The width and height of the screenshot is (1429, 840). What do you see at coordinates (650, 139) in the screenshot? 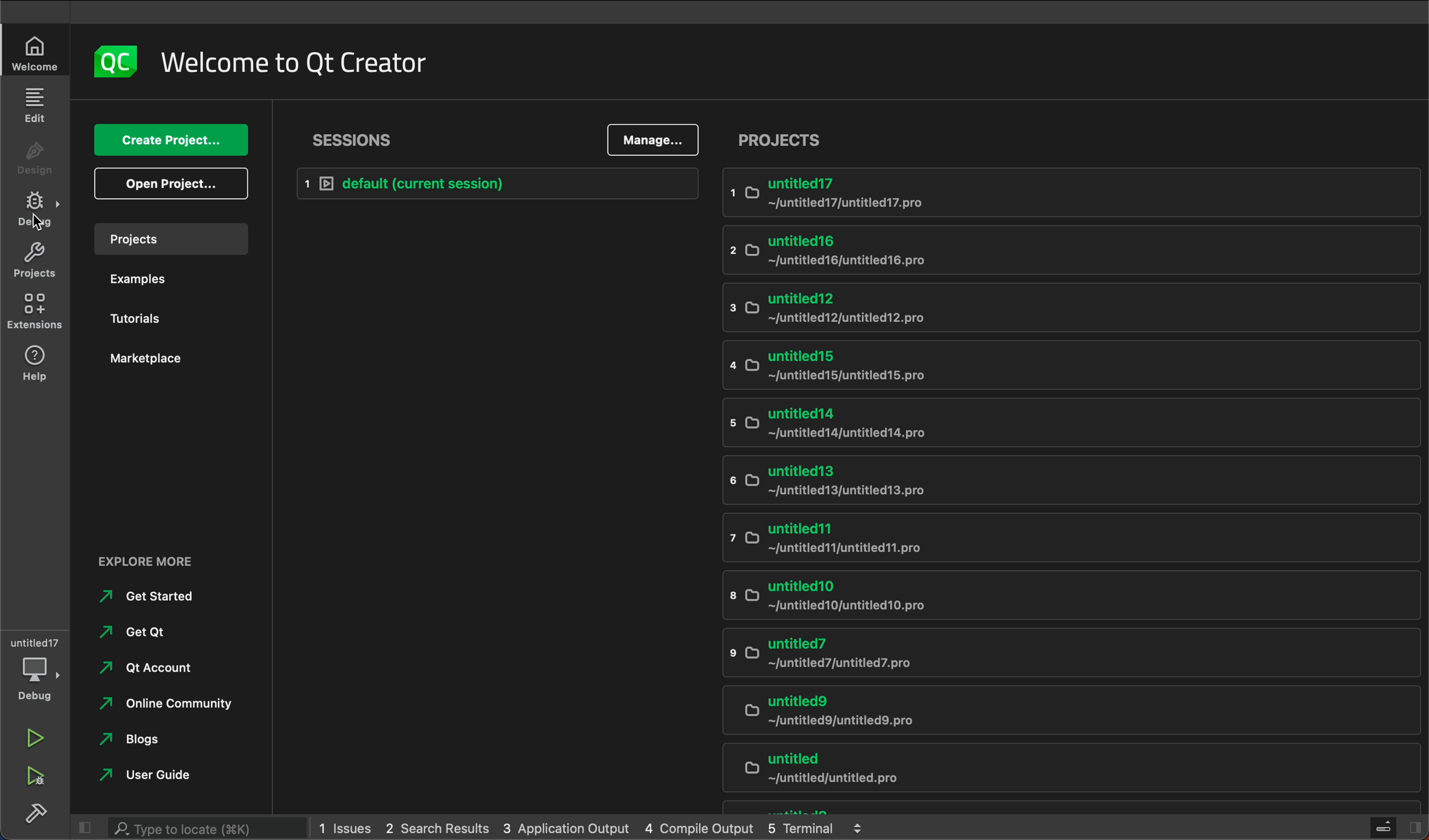
I see `manage` at bounding box center [650, 139].